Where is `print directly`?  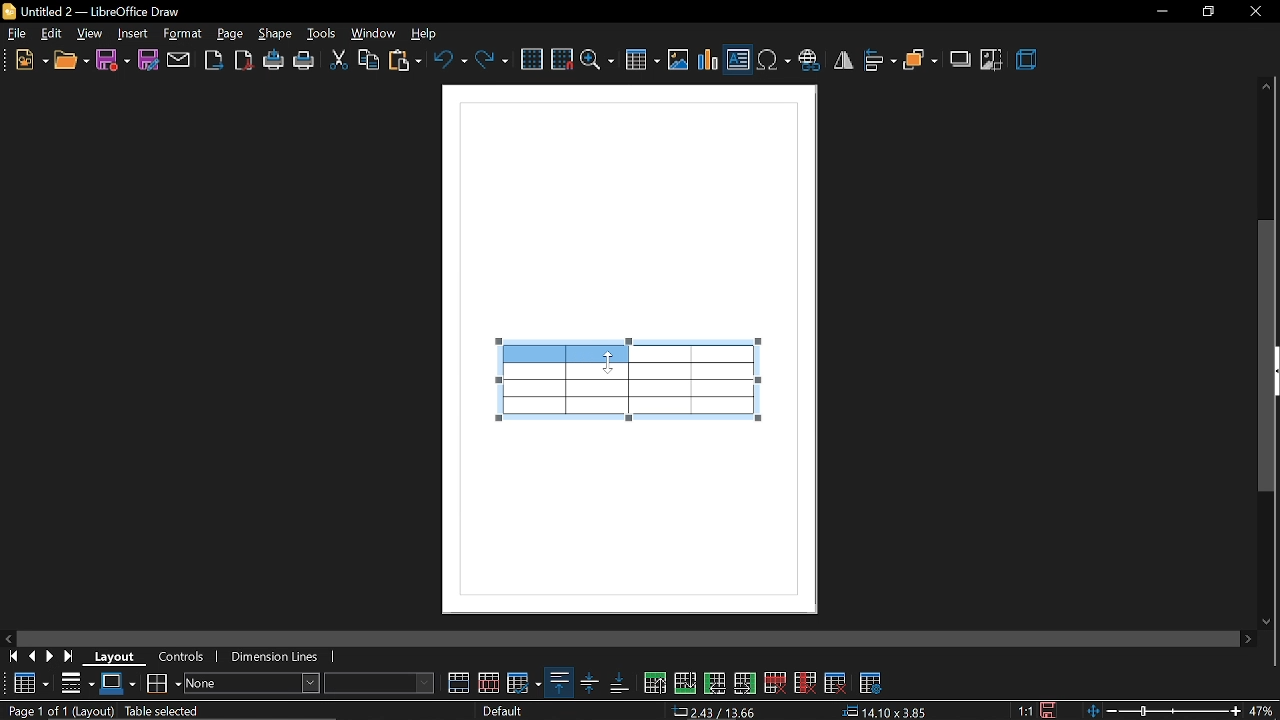 print directly is located at coordinates (274, 61).